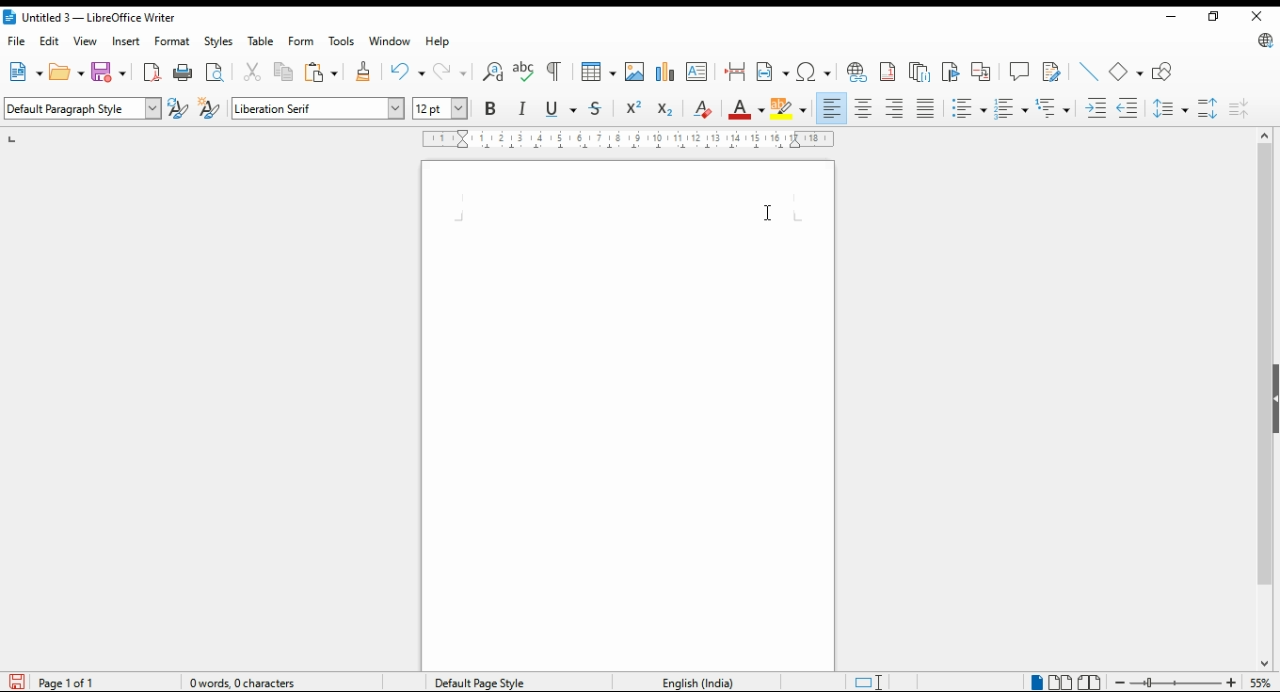 Image resolution: width=1280 pixels, height=692 pixels. What do you see at coordinates (24, 72) in the screenshot?
I see `new` at bounding box center [24, 72].